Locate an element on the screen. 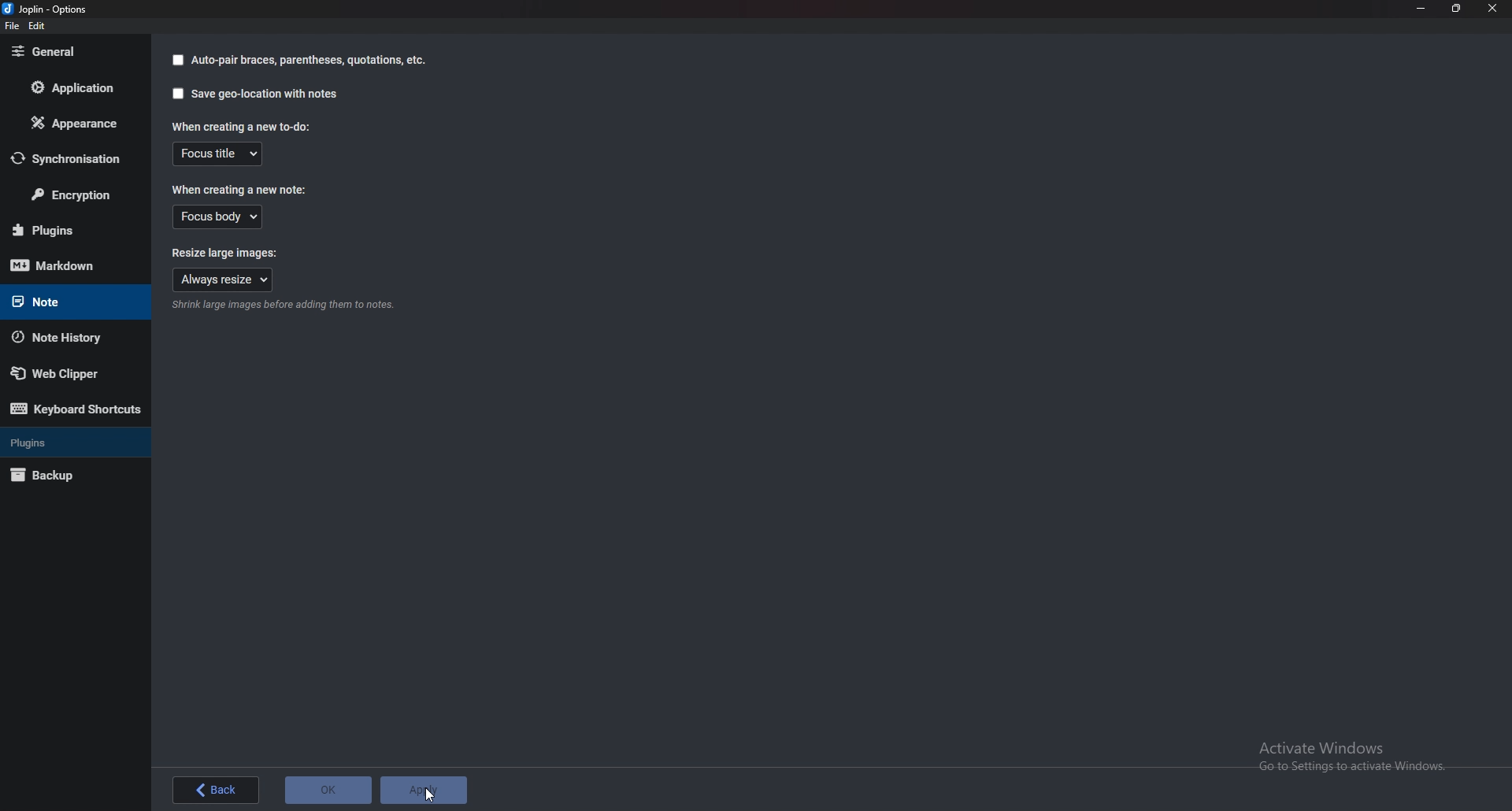 This screenshot has width=1512, height=811. Synchronization is located at coordinates (68, 158).